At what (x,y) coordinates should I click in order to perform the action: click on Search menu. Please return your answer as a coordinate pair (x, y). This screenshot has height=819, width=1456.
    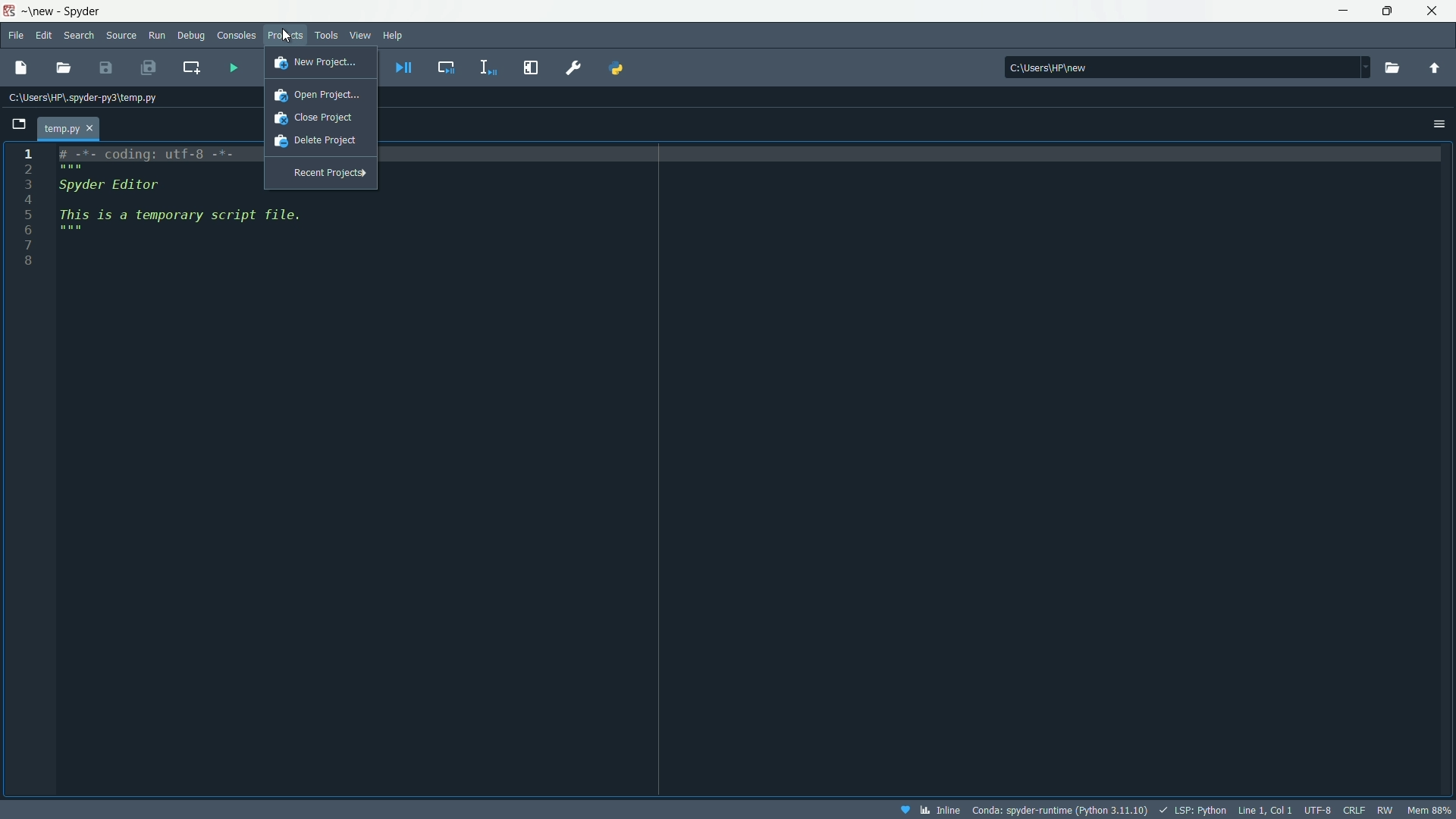
    Looking at the image, I should click on (79, 37).